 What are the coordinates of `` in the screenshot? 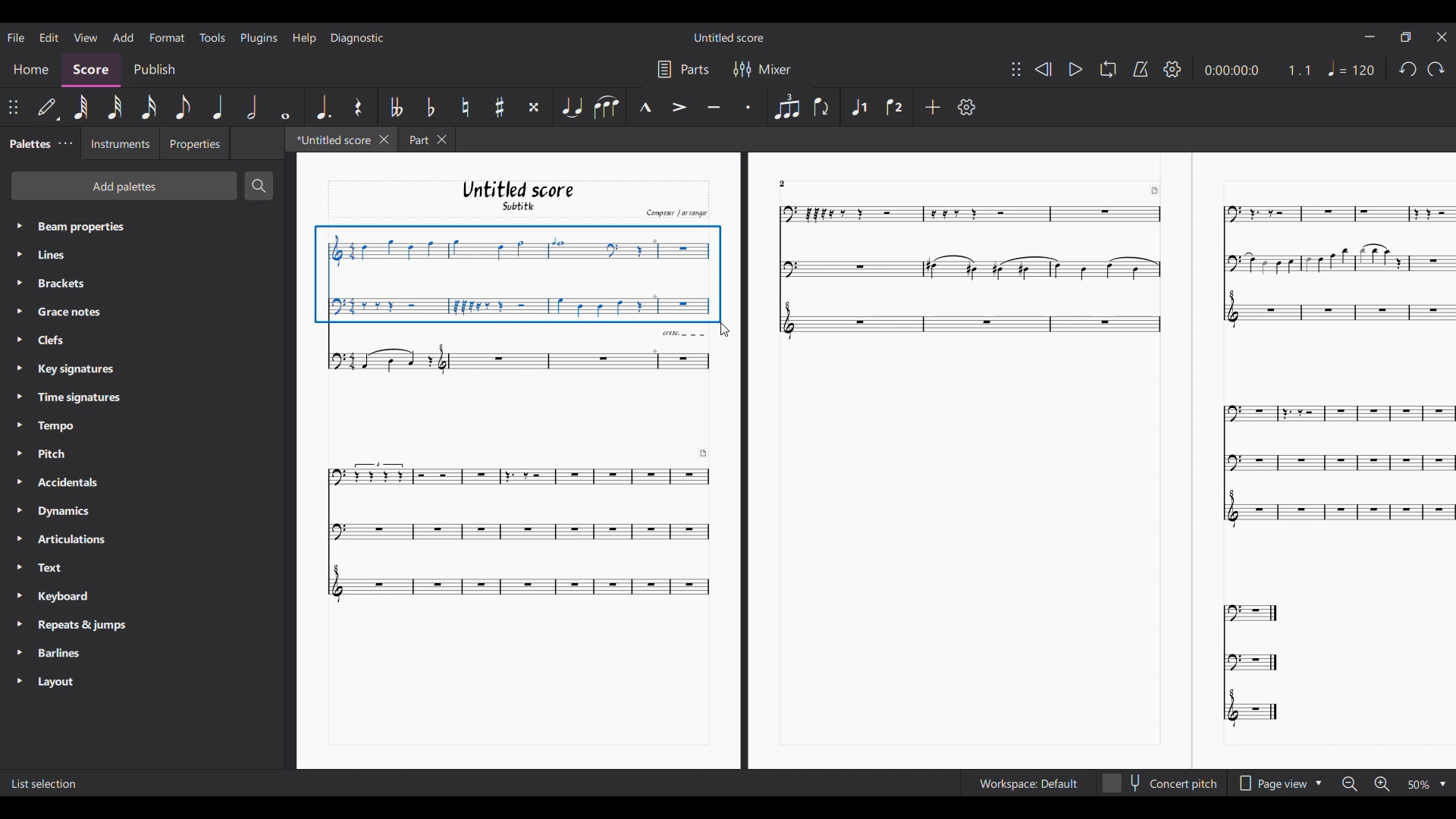 It's located at (17, 540).